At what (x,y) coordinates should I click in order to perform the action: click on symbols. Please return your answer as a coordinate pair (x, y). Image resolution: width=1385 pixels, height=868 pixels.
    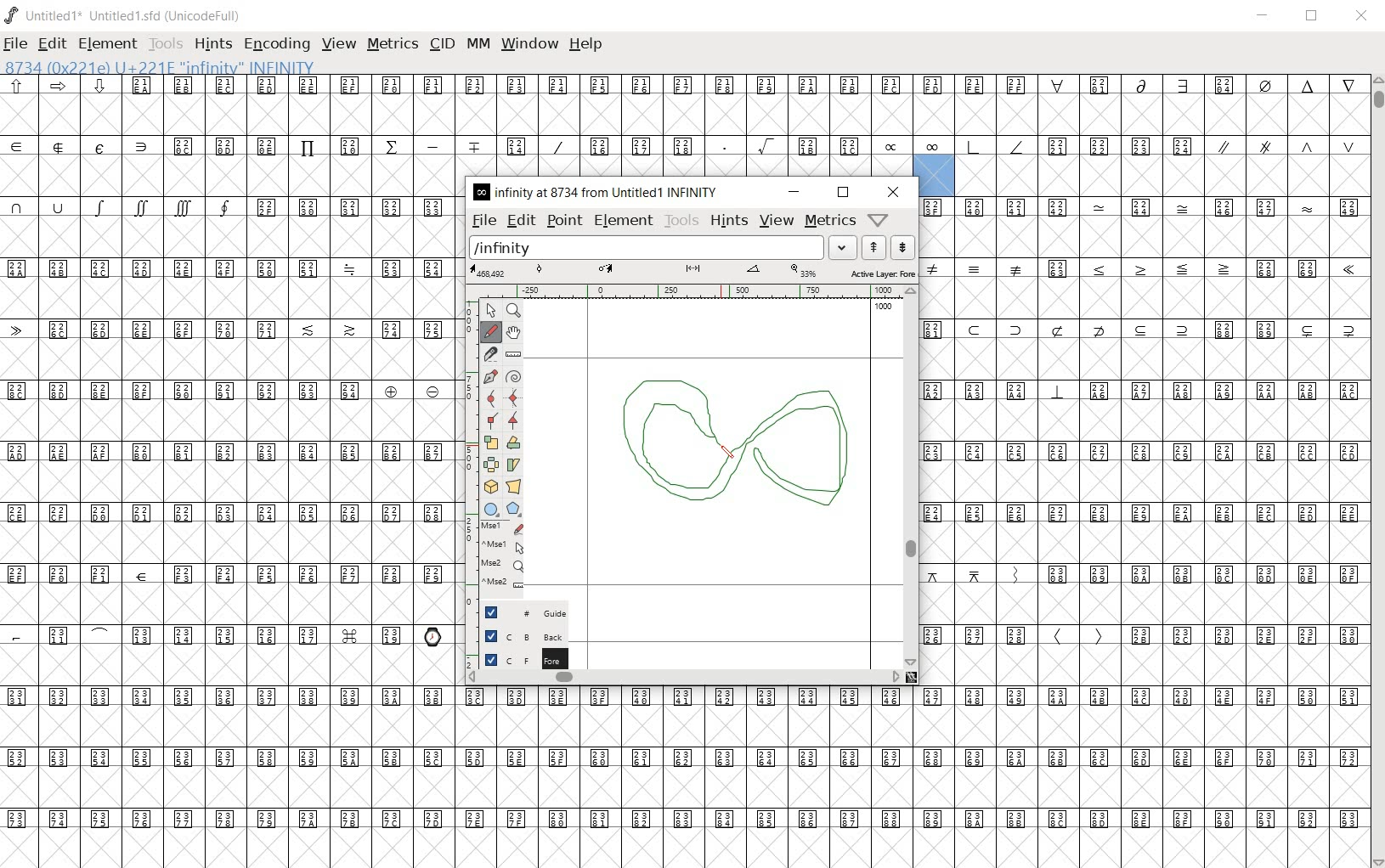
    Looking at the image, I should click on (981, 573).